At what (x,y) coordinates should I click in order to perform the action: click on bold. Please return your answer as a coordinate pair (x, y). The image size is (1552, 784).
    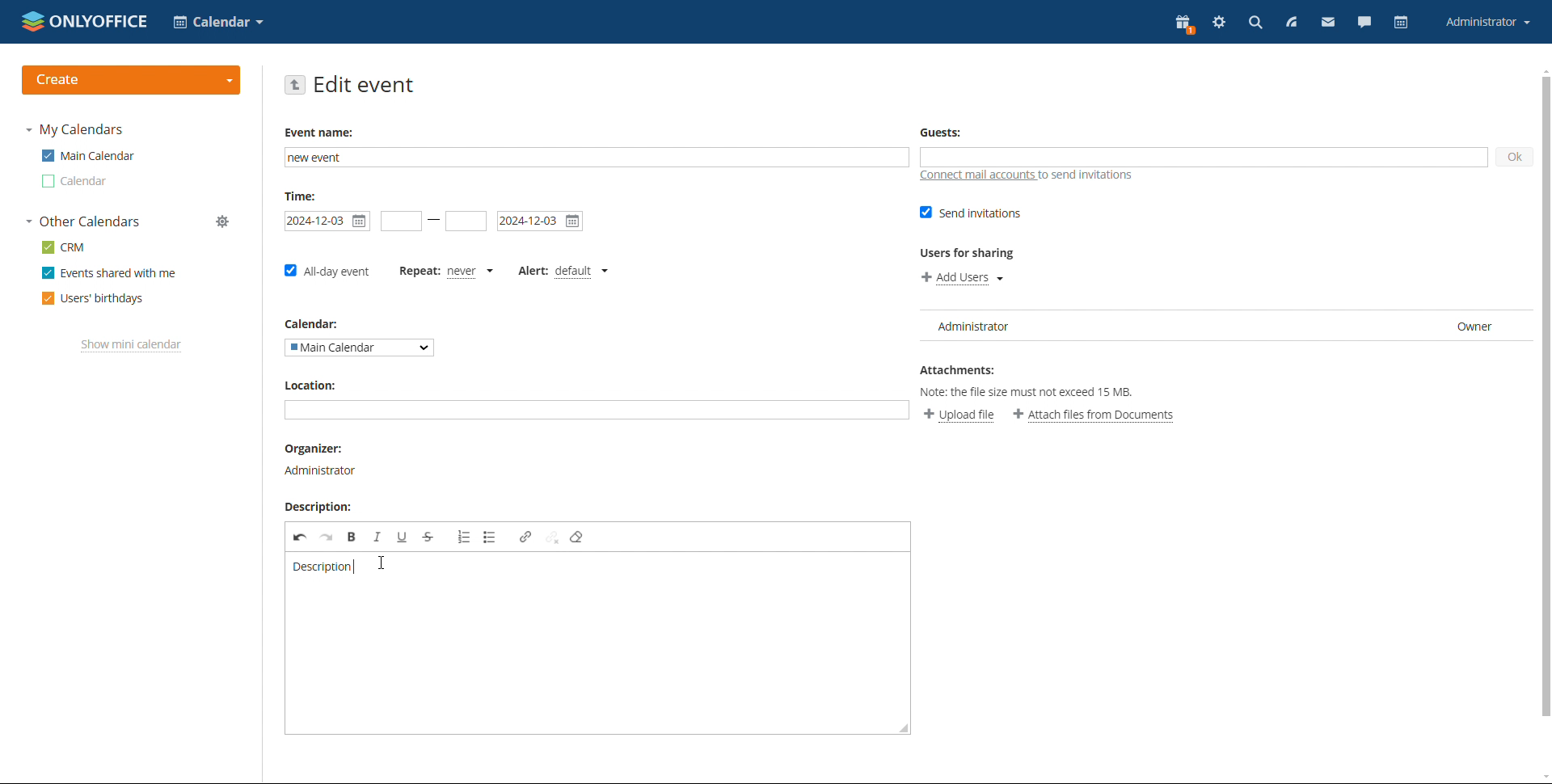
    Looking at the image, I should click on (352, 536).